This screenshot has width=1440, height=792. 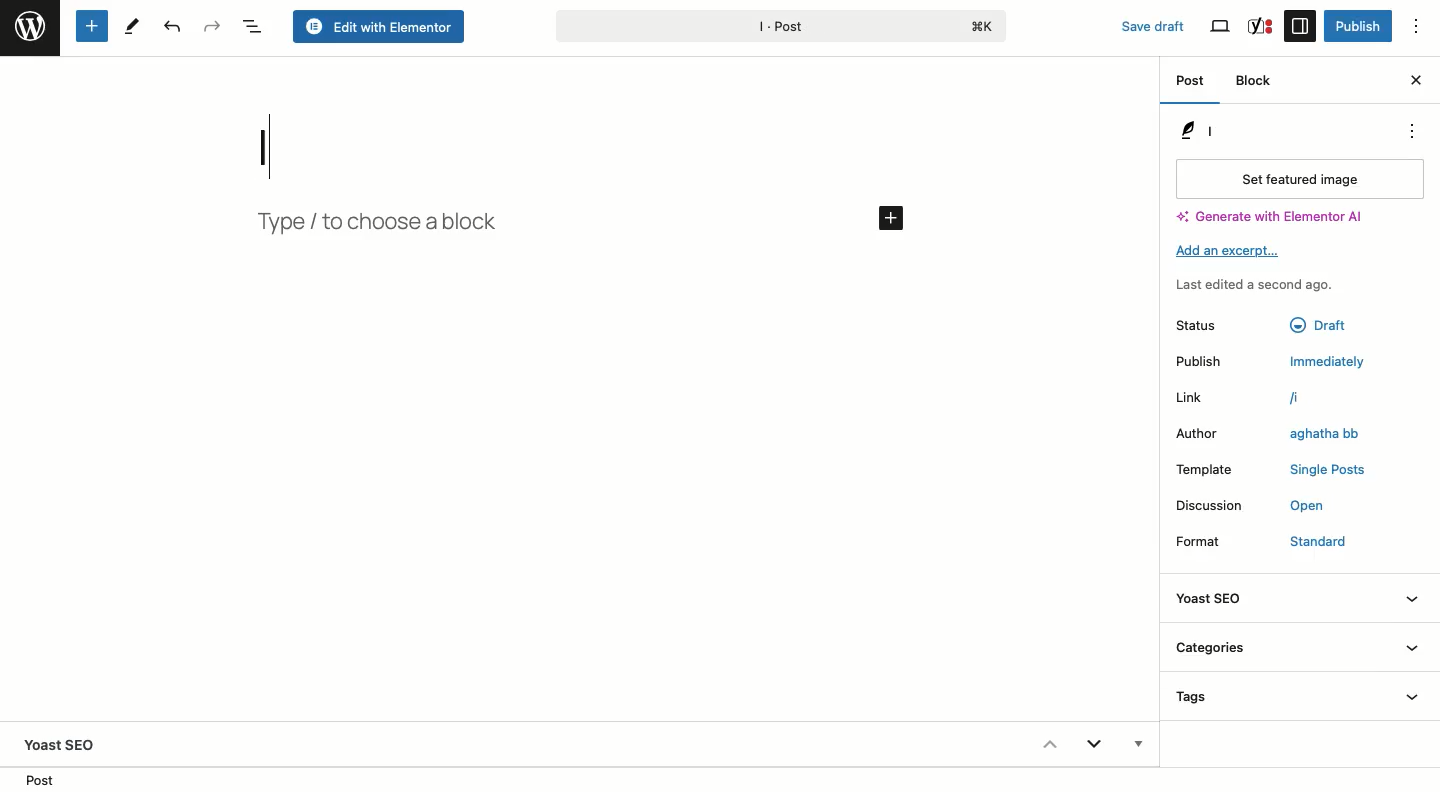 I want to click on Add an excerpt, so click(x=1235, y=251).